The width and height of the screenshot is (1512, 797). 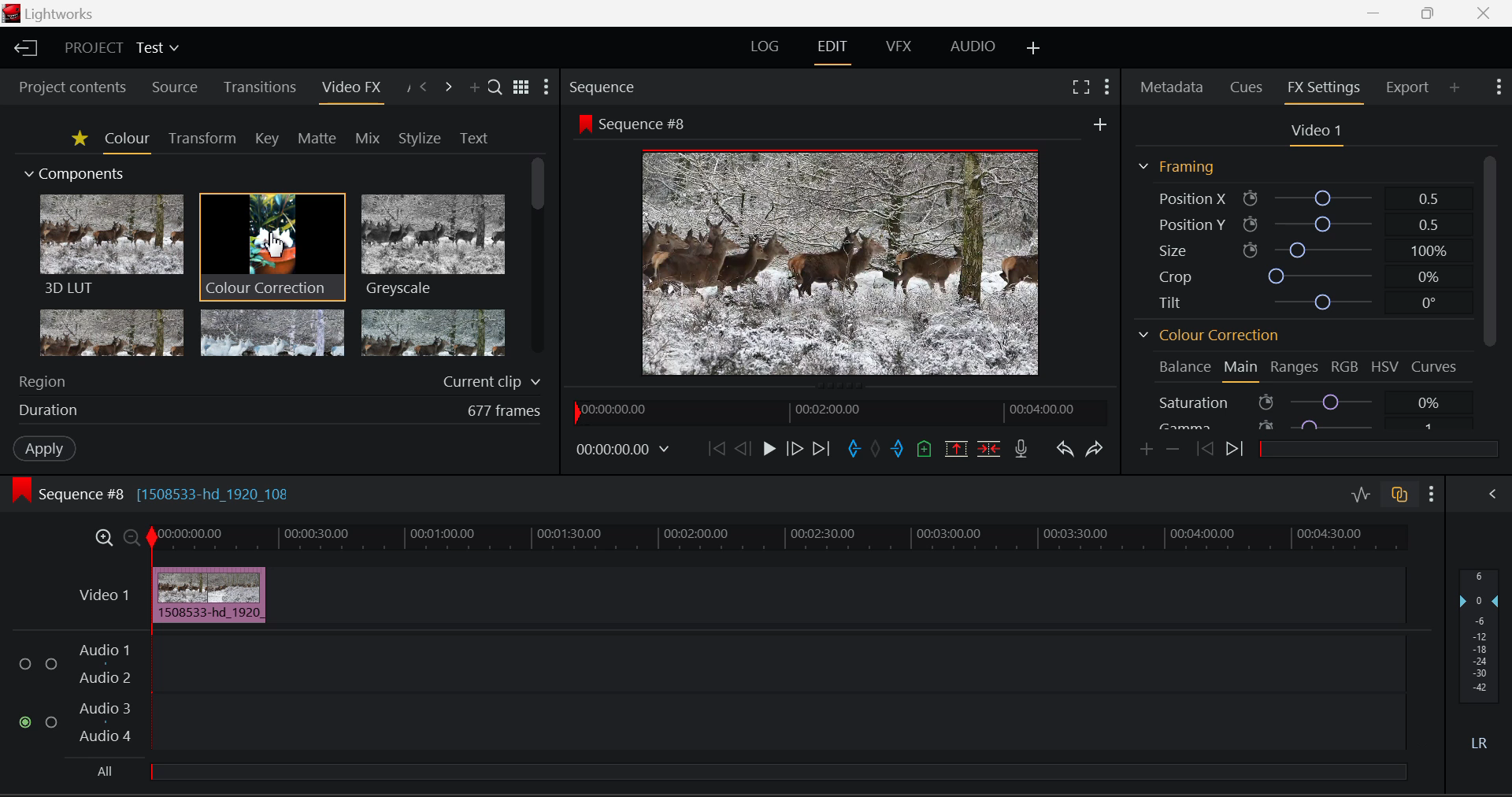 I want to click on Export, so click(x=1408, y=87).